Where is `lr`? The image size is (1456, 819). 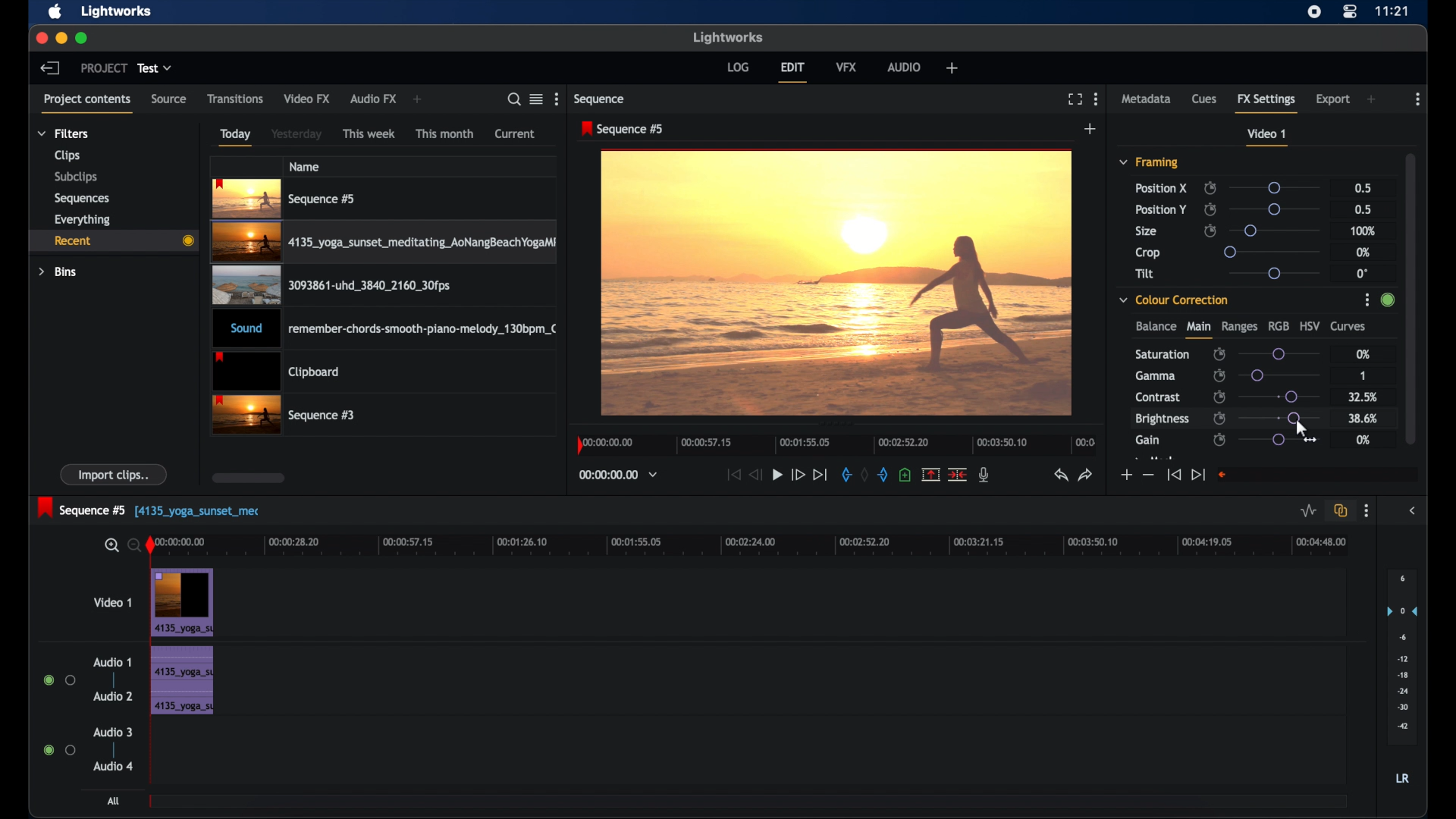
lr is located at coordinates (1402, 778).